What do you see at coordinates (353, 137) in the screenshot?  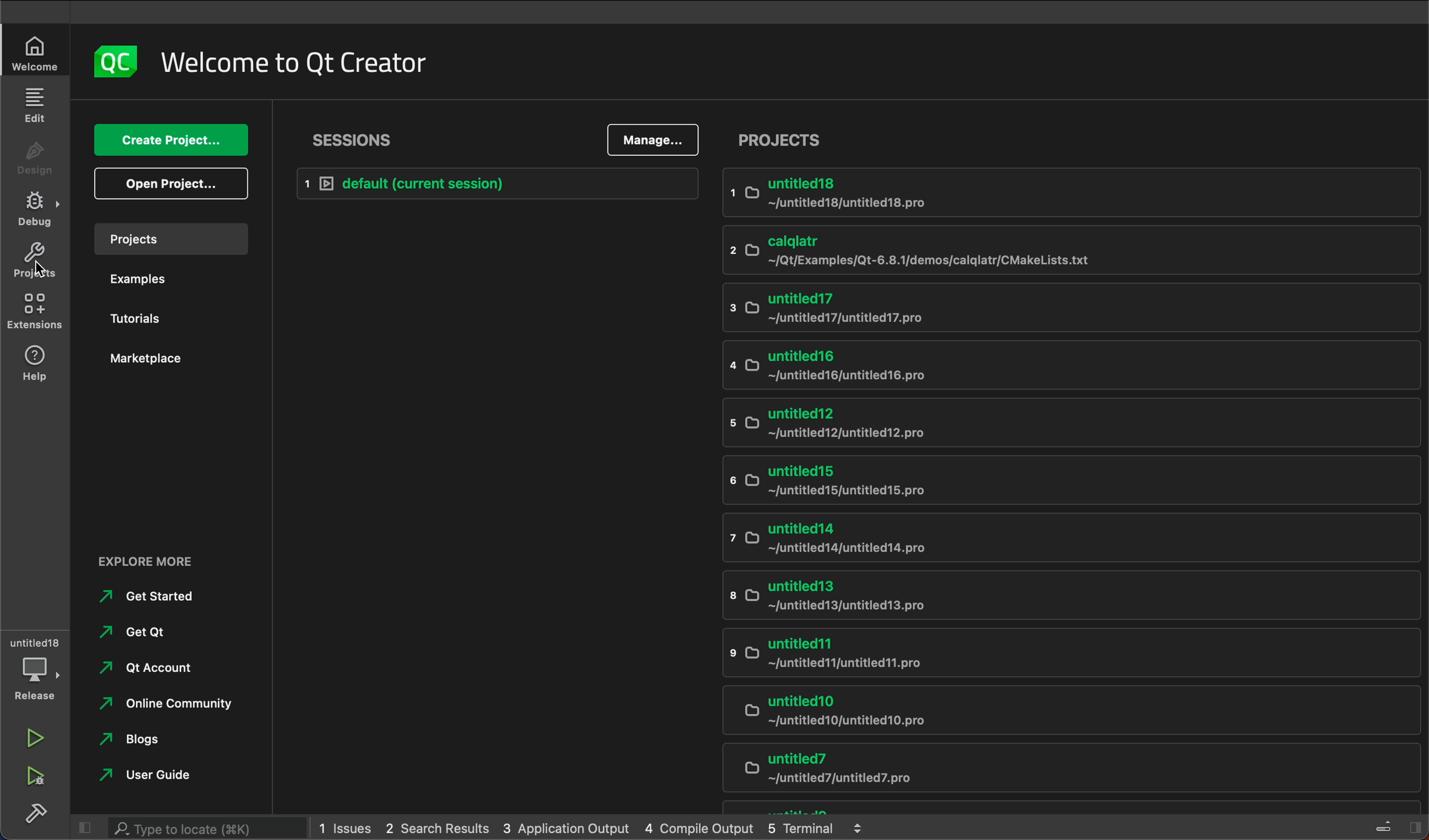 I see `sessions` at bounding box center [353, 137].